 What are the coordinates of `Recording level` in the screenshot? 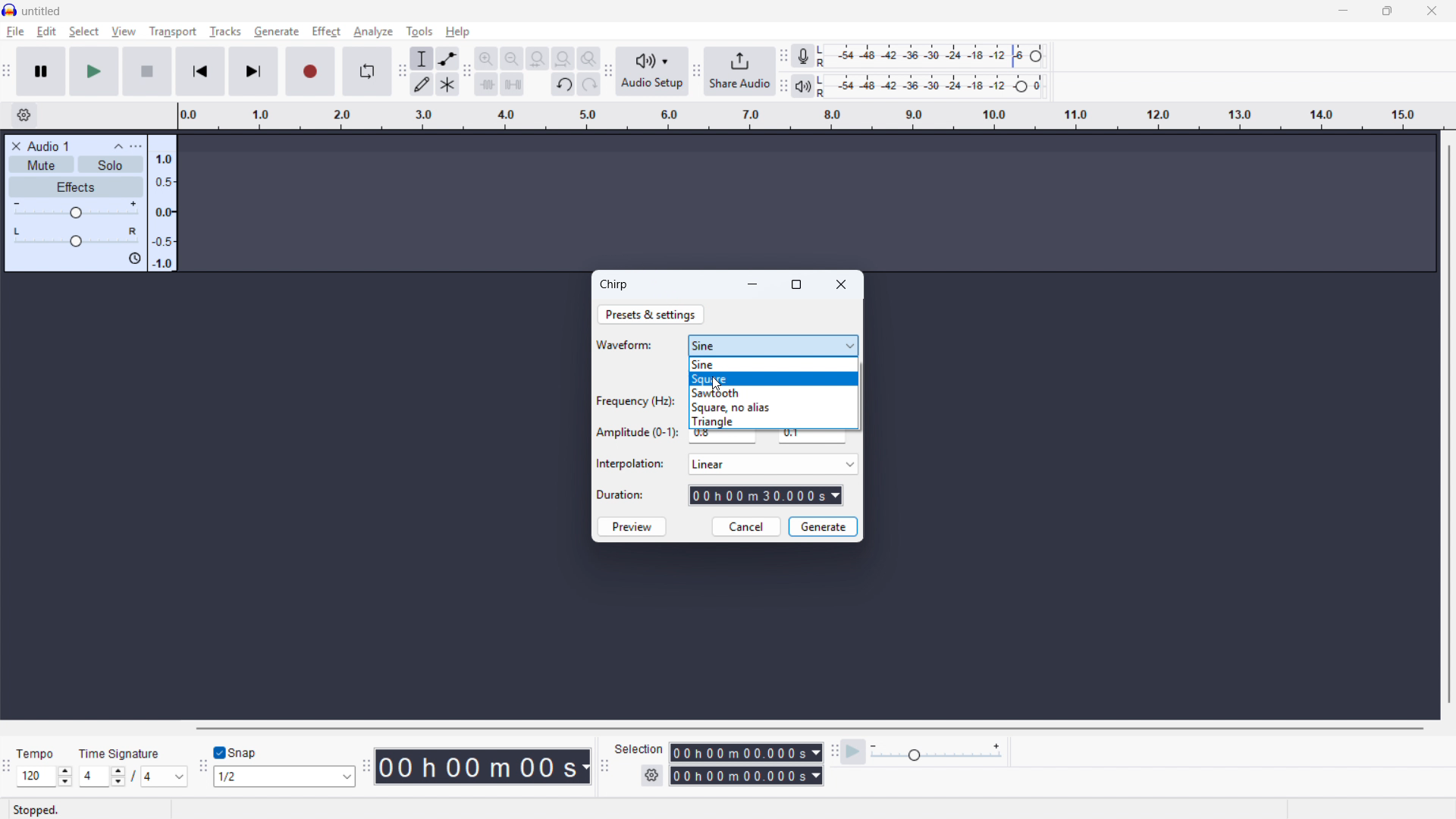 It's located at (935, 56).